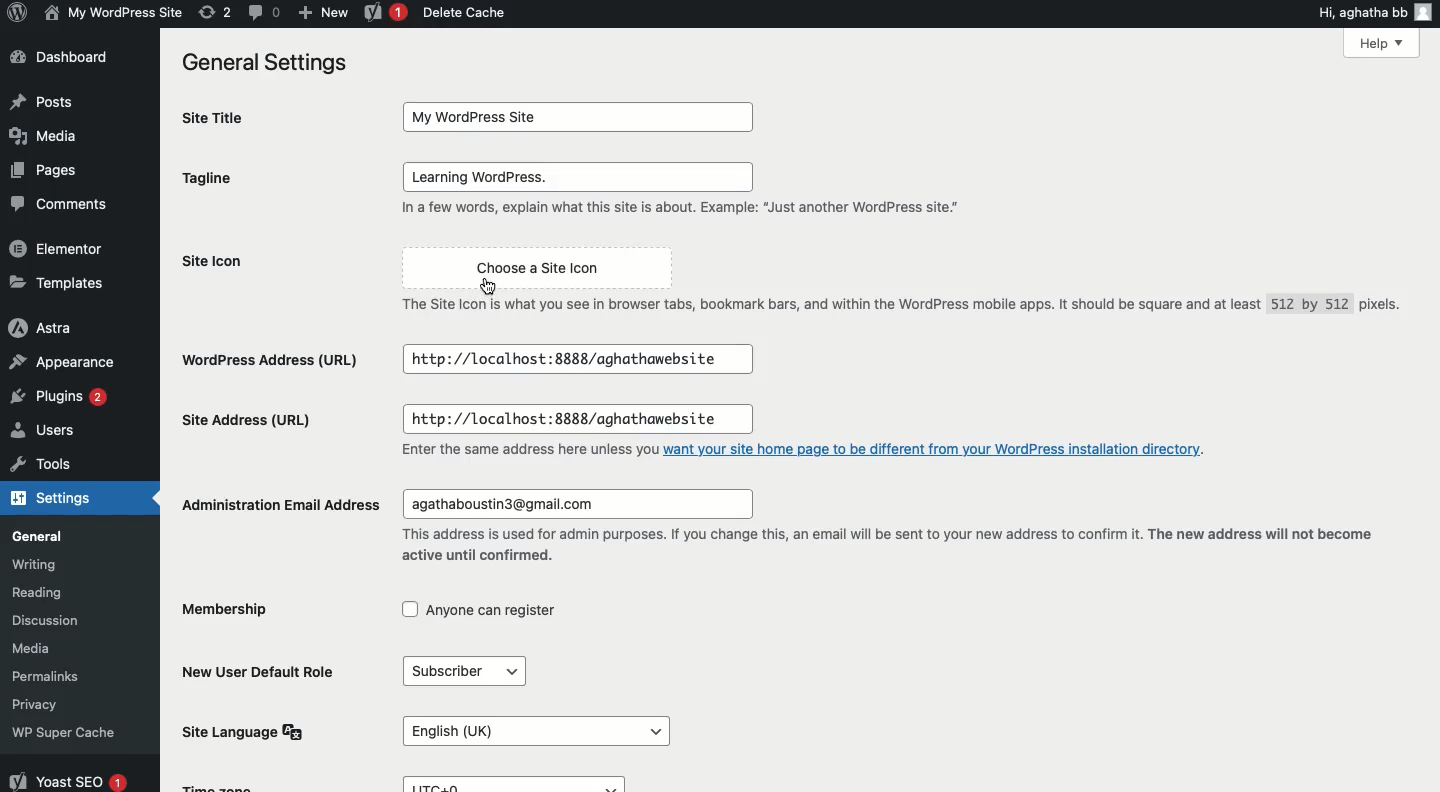  What do you see at coordinates (40, 171) in the screenshot?
I see `Pages` at bounding box center [40, 171].